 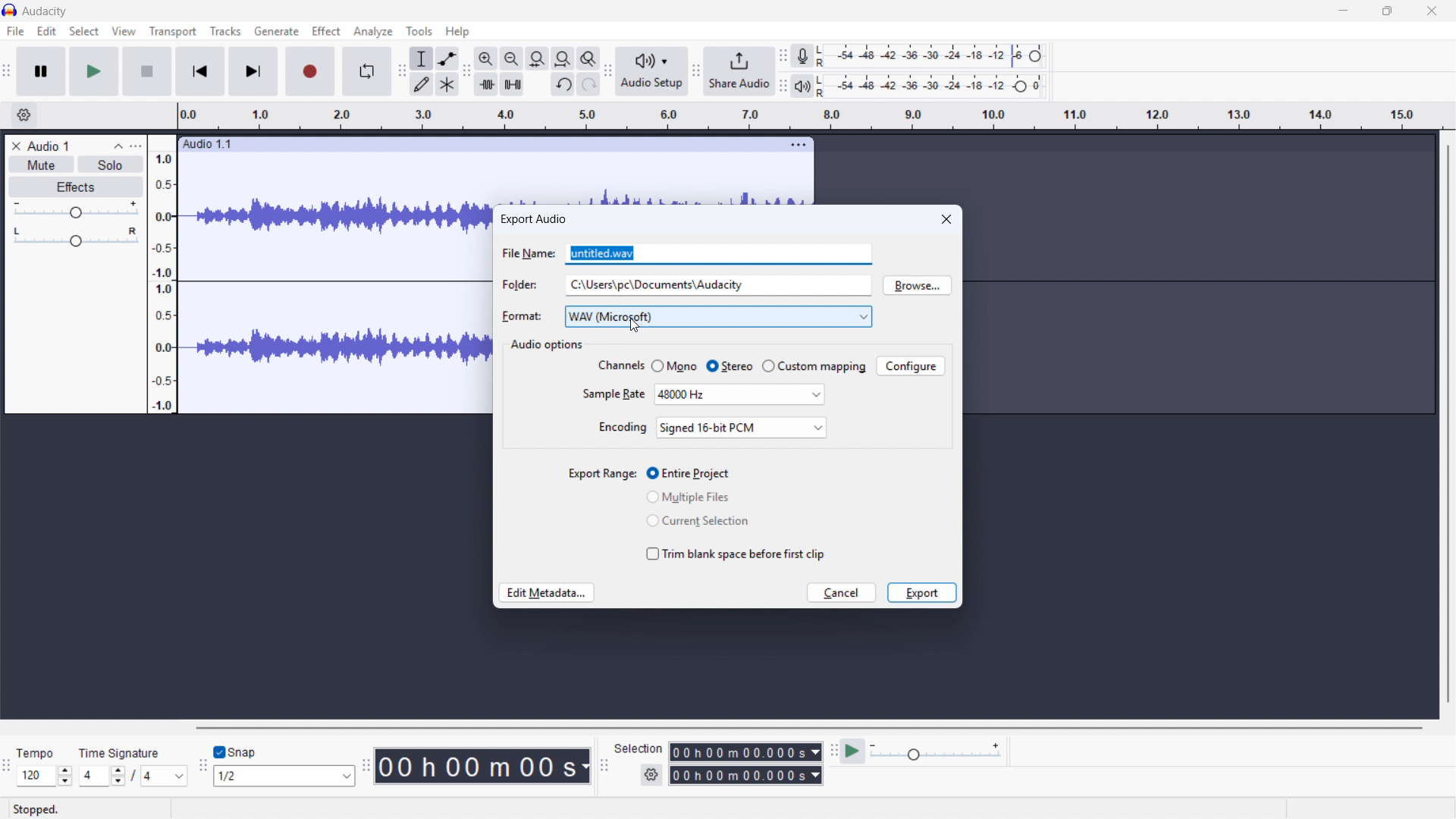 What do you see at coordinates (833, 752) in the screenshot?
I see `Play at speed toolbar` at bounding box center [833, 752].